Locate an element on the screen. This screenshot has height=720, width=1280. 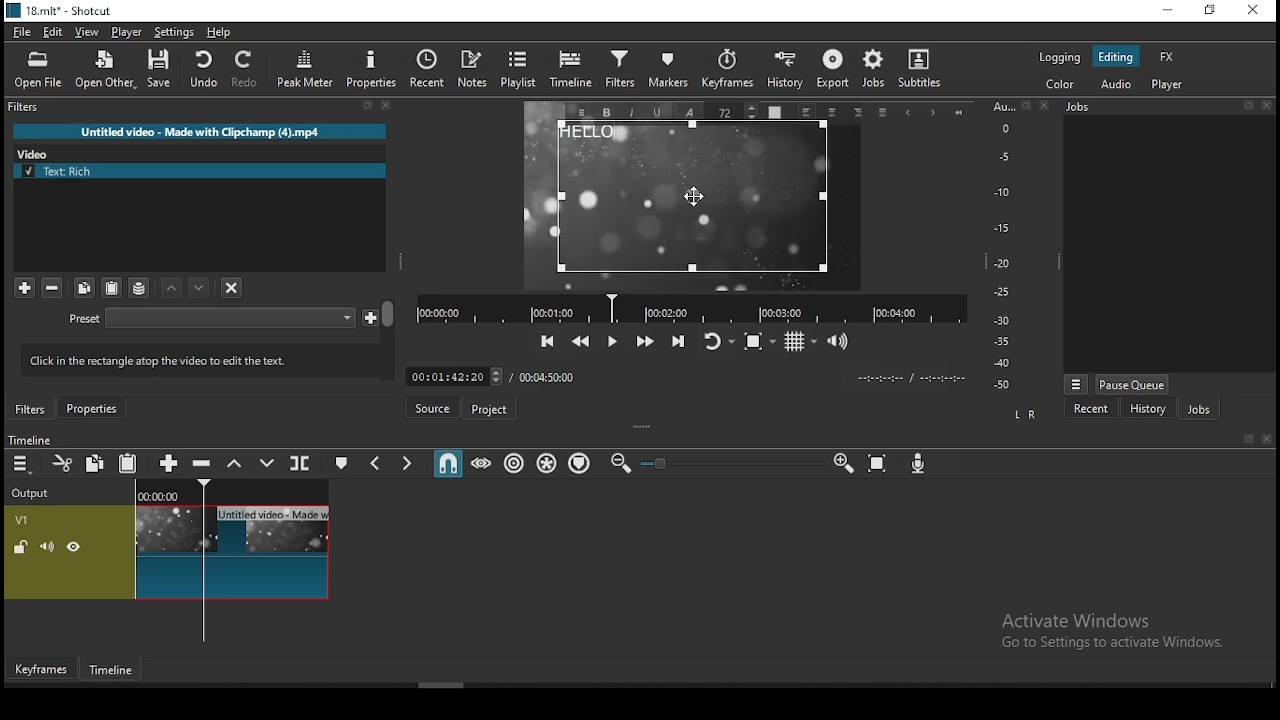
zoom timeline out is located at coordinates (620, 463).